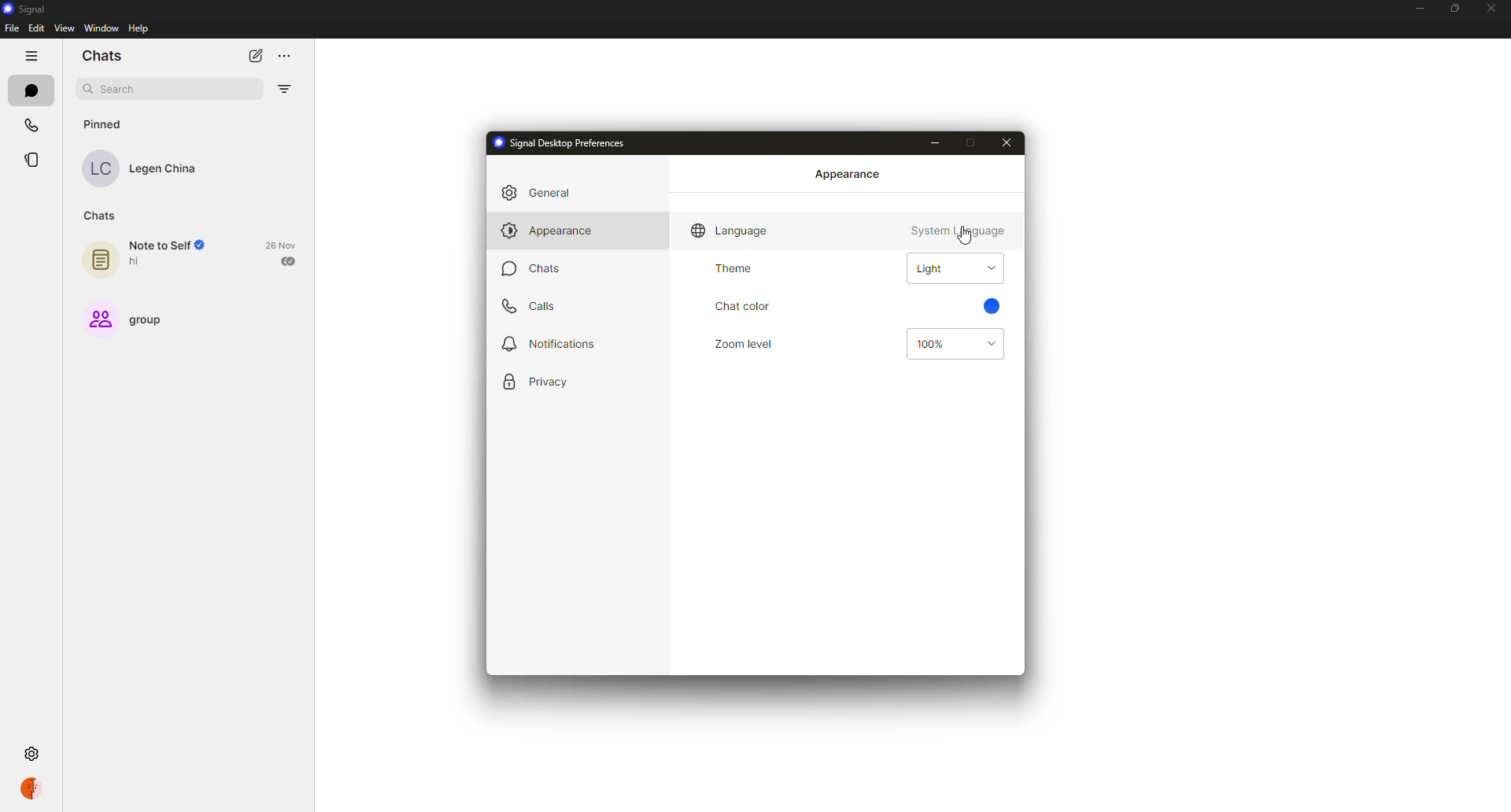 The width and height of the screenshot is (1511, 812). Describe the element at coordinates (970, 140) in the screenshot. I see `maximize` at that location.